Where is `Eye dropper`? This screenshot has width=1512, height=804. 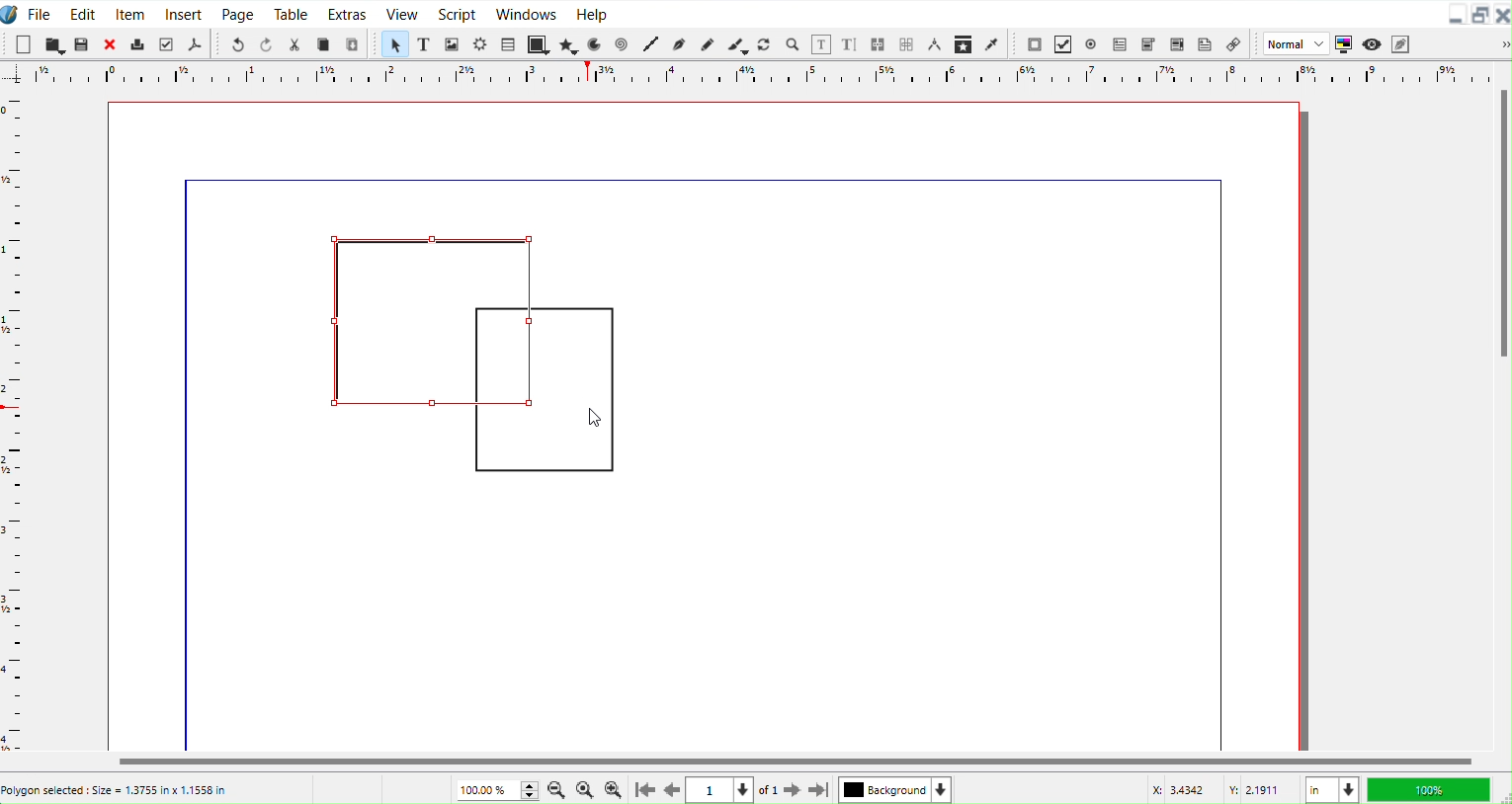 Eye dropper is located at coordinates (992, 43).